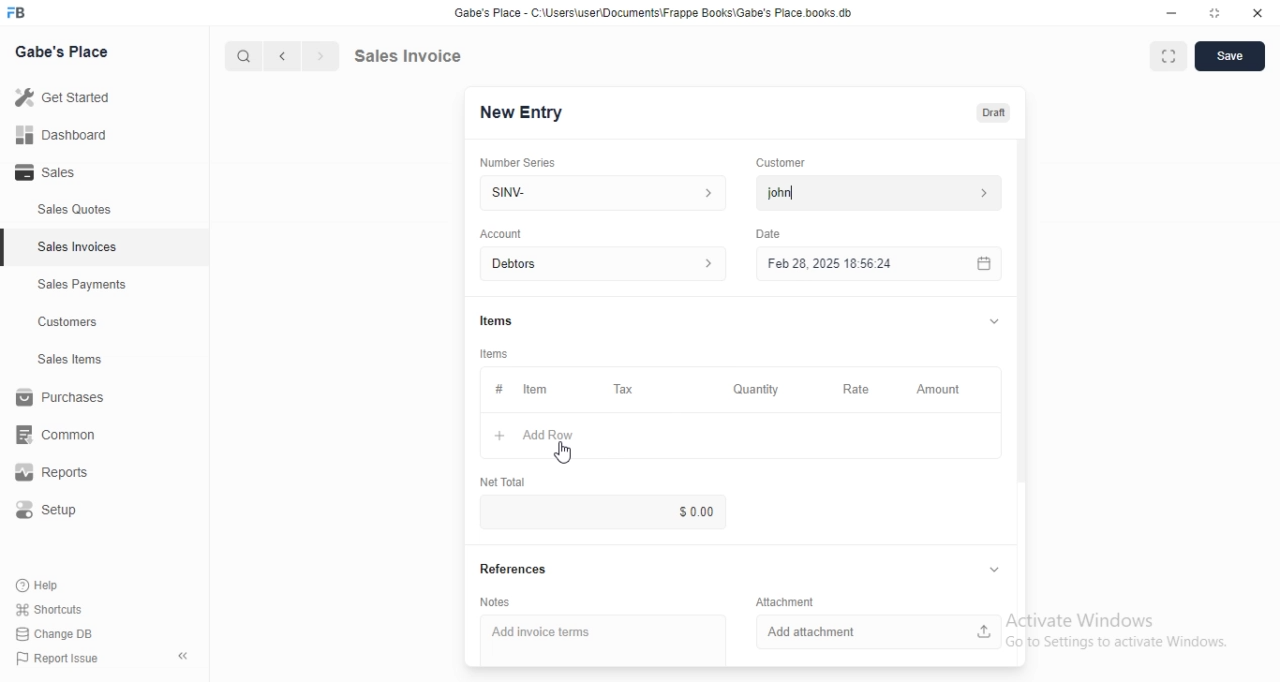 This screenshot has height=682, width=1280. I want to click on john, so click(876, 193).